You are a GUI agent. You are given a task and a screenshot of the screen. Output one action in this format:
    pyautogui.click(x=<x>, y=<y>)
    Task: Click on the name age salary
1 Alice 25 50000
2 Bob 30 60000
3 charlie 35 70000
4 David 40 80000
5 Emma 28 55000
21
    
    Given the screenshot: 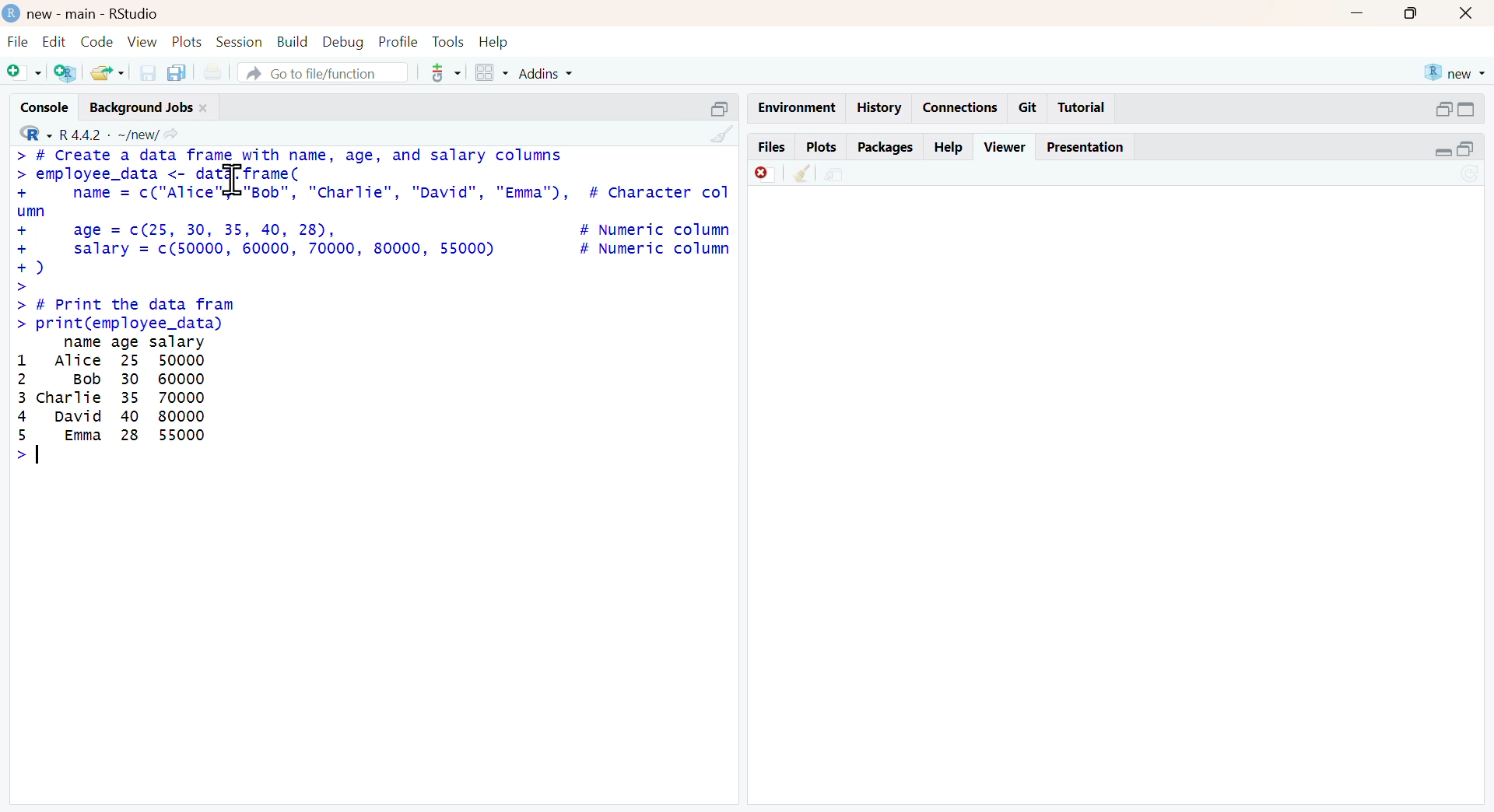 What is the action you would take?
    pyautogui.click(x=114, y=400)
    